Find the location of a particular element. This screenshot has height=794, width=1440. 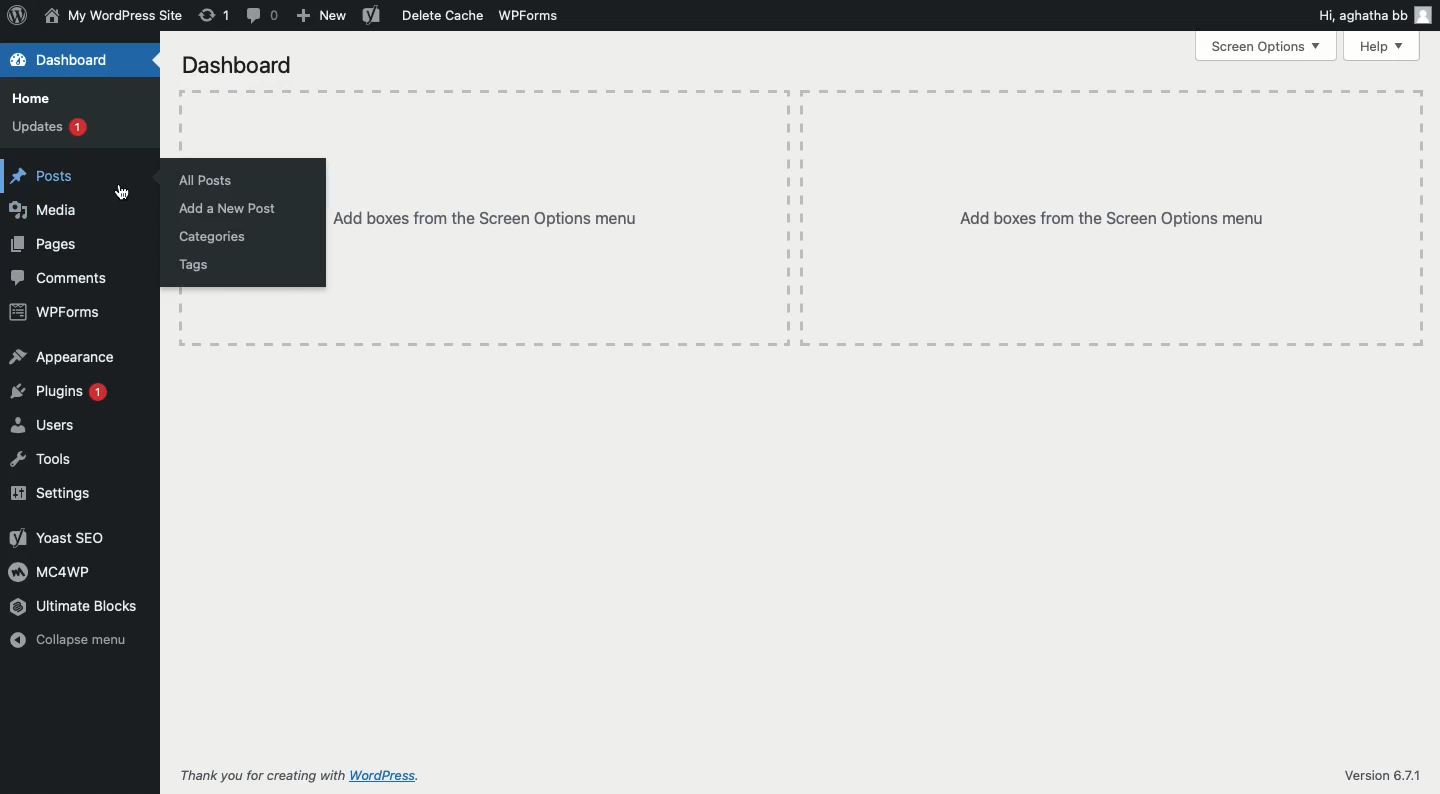

Appearance is located at coordinates (64, 356).